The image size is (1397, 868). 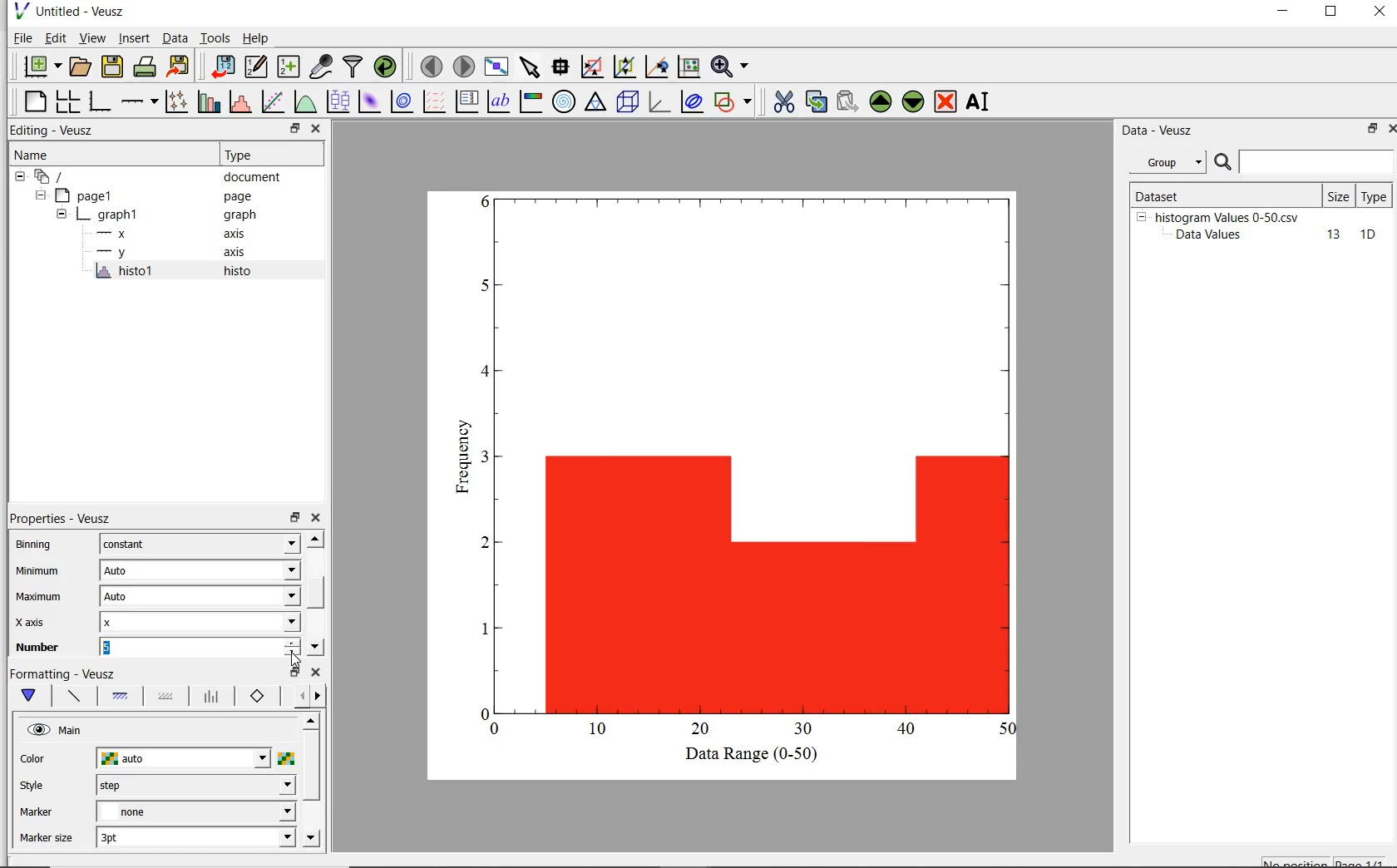 What do you see at coordinates (692, 104) in the screenshot?
I see `plot covariance ellipse` at bounding box center [692, 104].